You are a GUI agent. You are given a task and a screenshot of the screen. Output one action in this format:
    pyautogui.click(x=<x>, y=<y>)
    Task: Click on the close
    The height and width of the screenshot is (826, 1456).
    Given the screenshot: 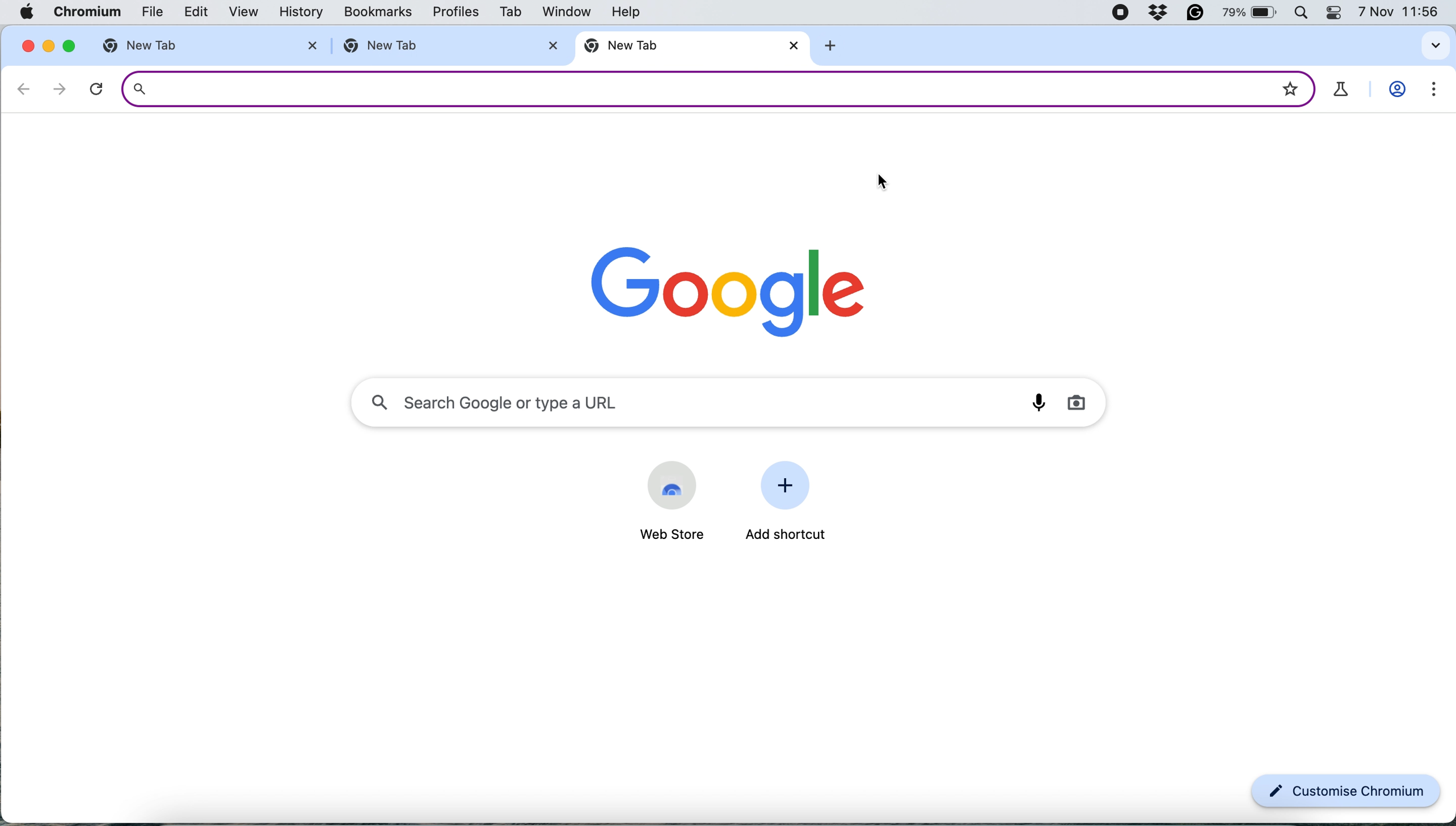 What is the action you would take?
    pyautogui.click(x=552, y=44)
    